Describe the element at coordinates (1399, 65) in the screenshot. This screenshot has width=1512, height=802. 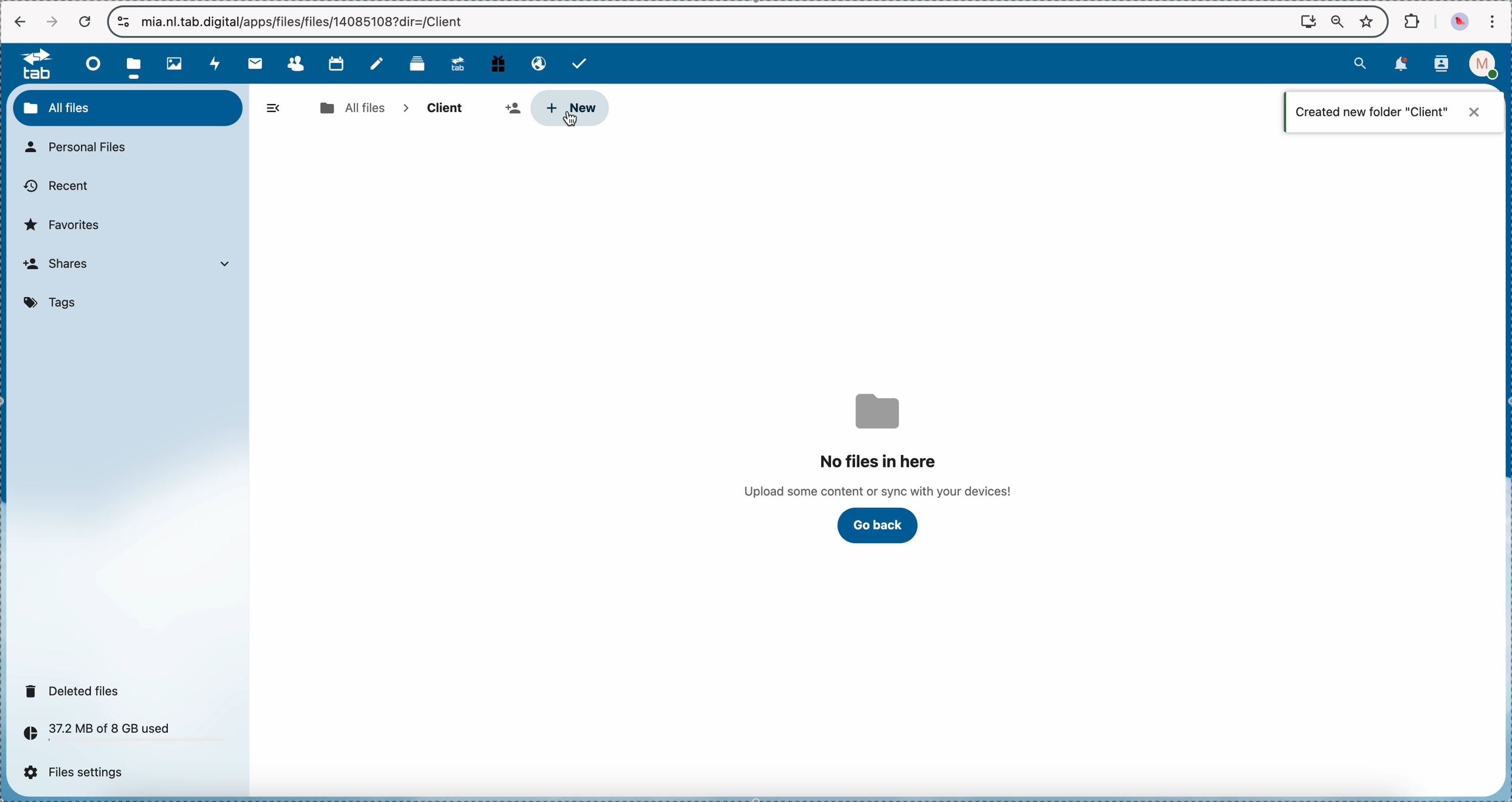
I see `notifications` at that location.